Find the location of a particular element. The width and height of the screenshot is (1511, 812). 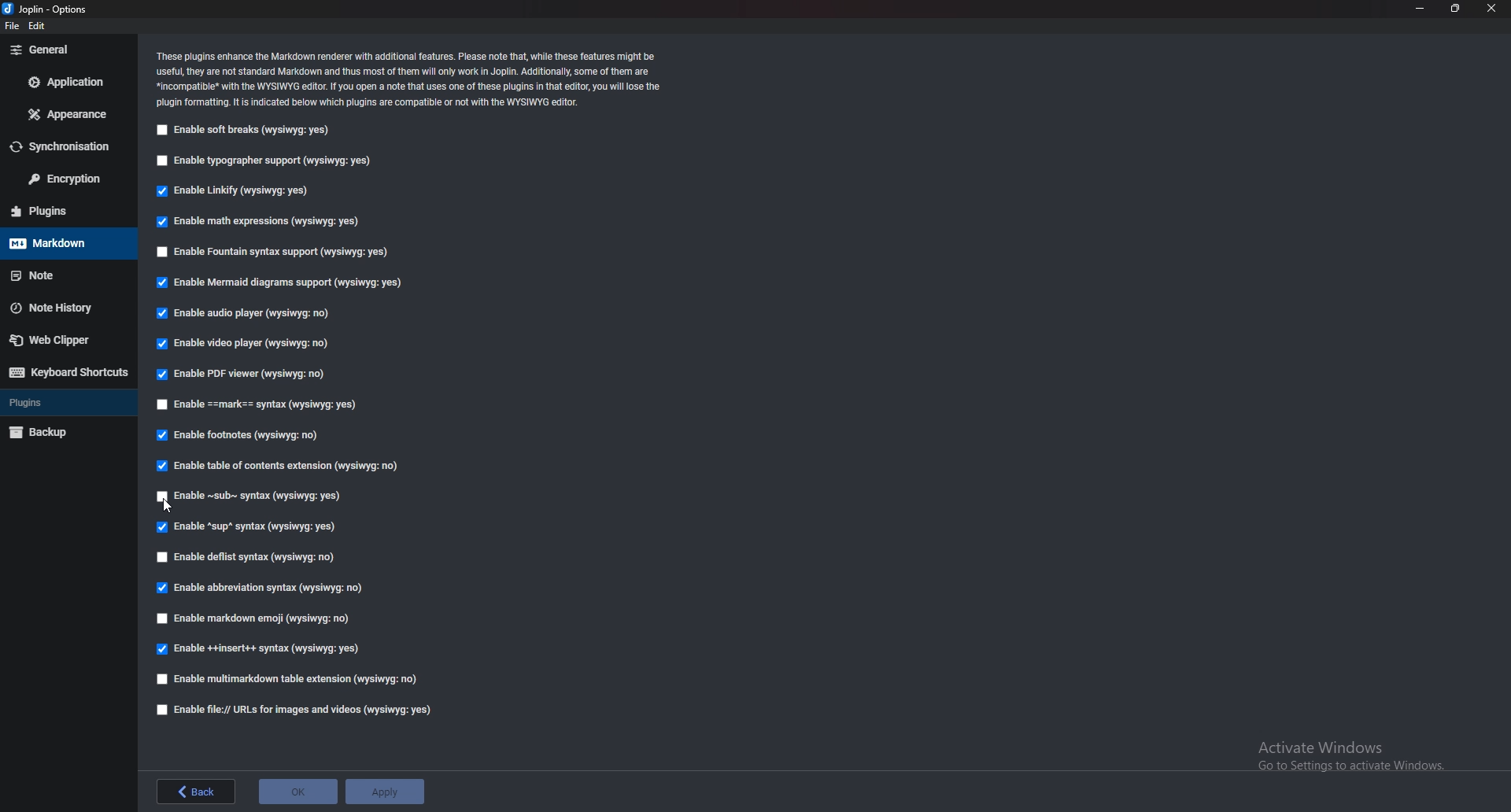

note is located at coordinates (63, 275).